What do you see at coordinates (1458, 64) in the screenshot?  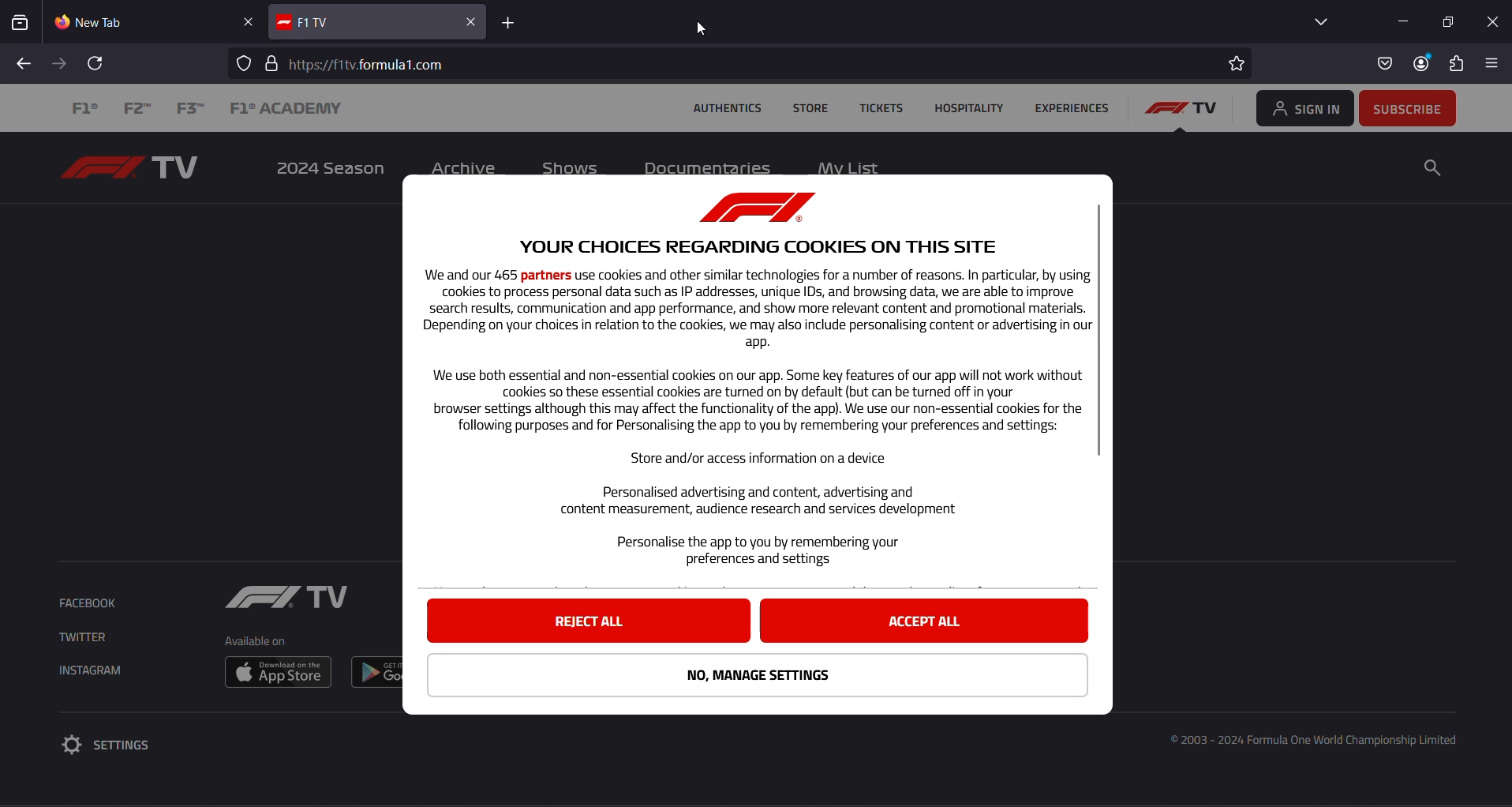 I see `extensions` at bounding box center [1458, 64].